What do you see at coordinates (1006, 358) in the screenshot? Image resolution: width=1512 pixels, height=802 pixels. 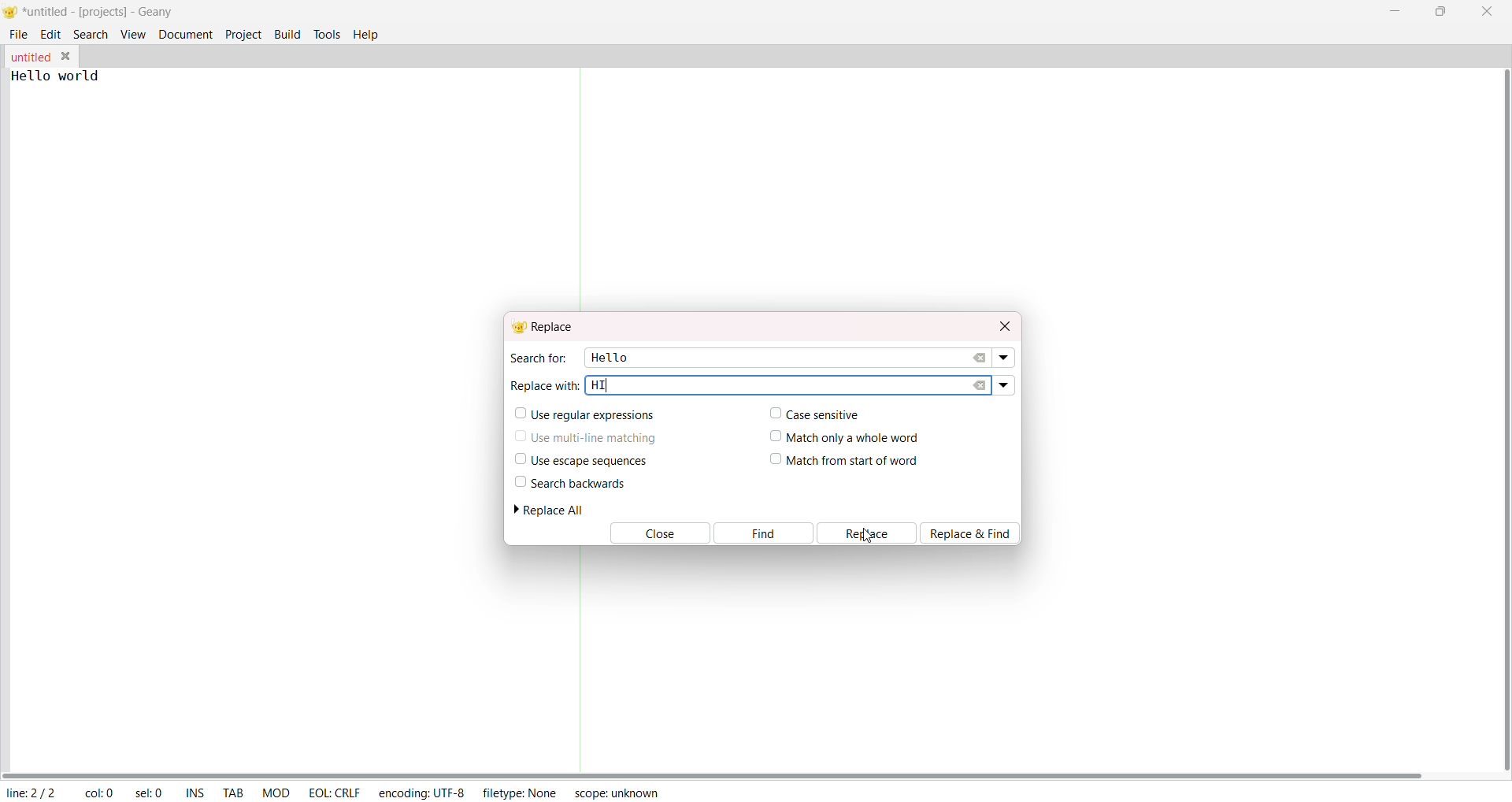 I see `search dropdown` at bounding box center [1006, 358].